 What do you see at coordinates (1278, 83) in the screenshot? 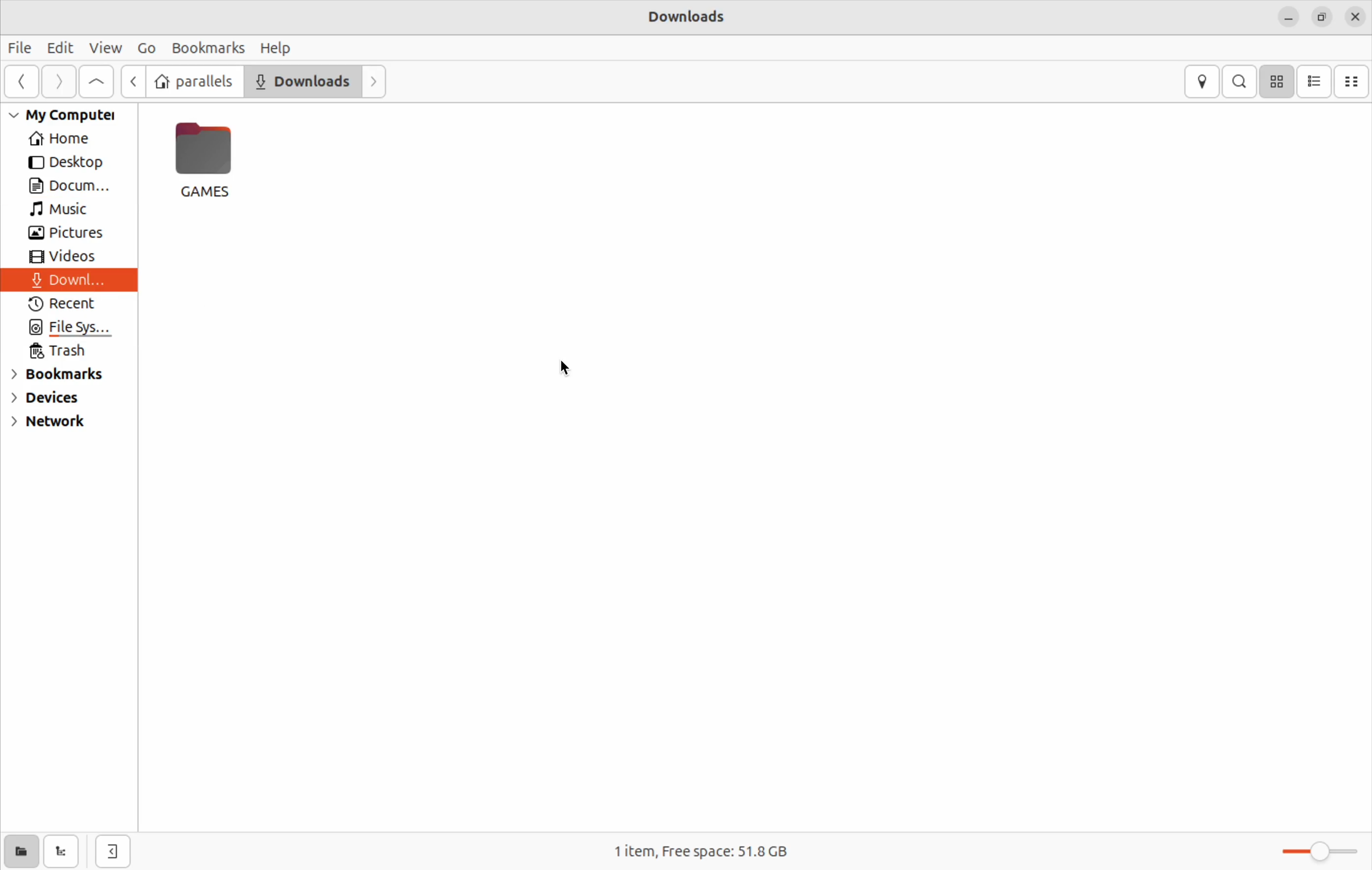
I see `icon view` at bounding box center [1278, 83].